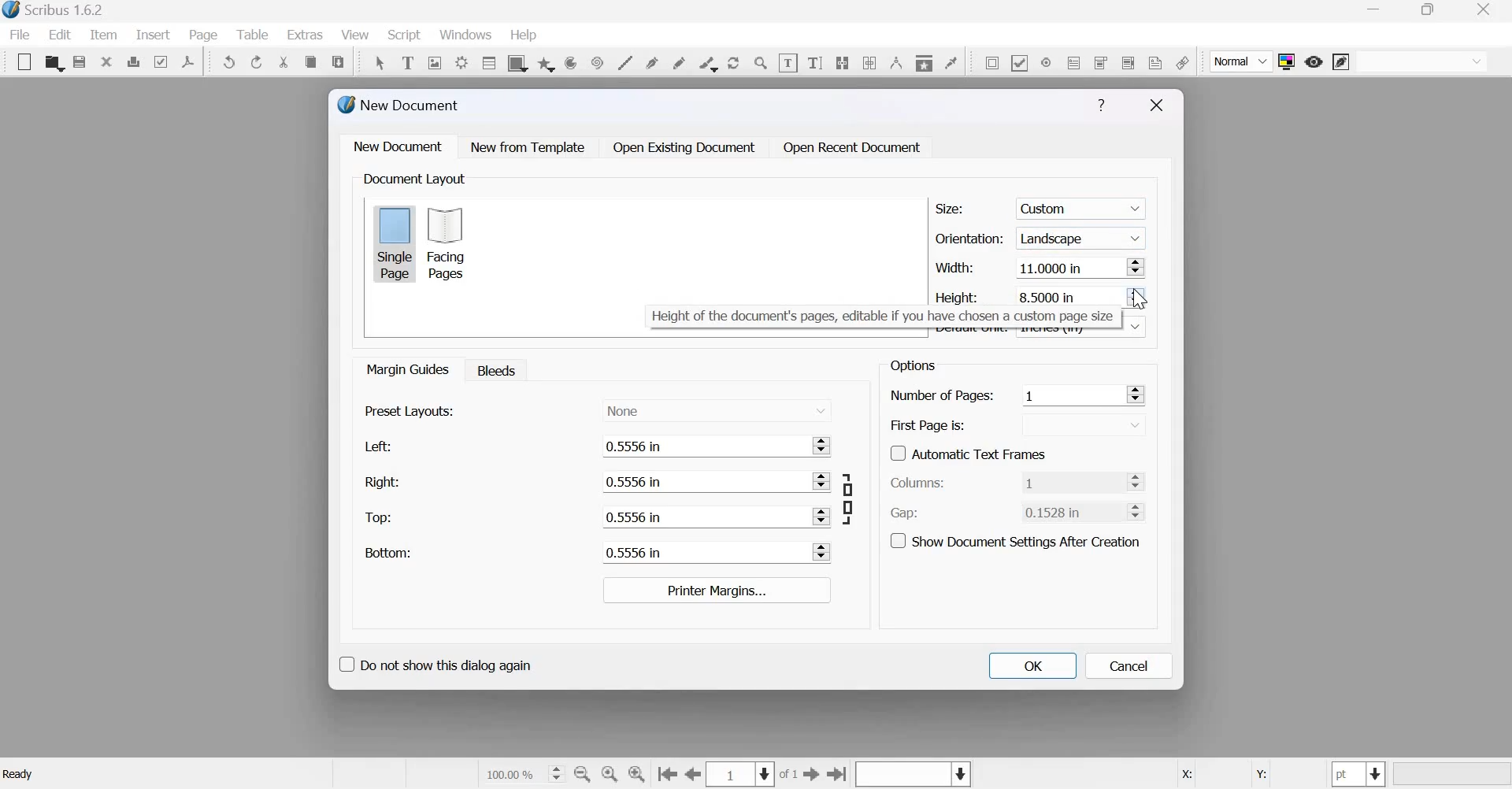  What do you see at coordinates (1182, 62) in the screenshot?
I see `link annotation` at bounding box center [1182, 62].